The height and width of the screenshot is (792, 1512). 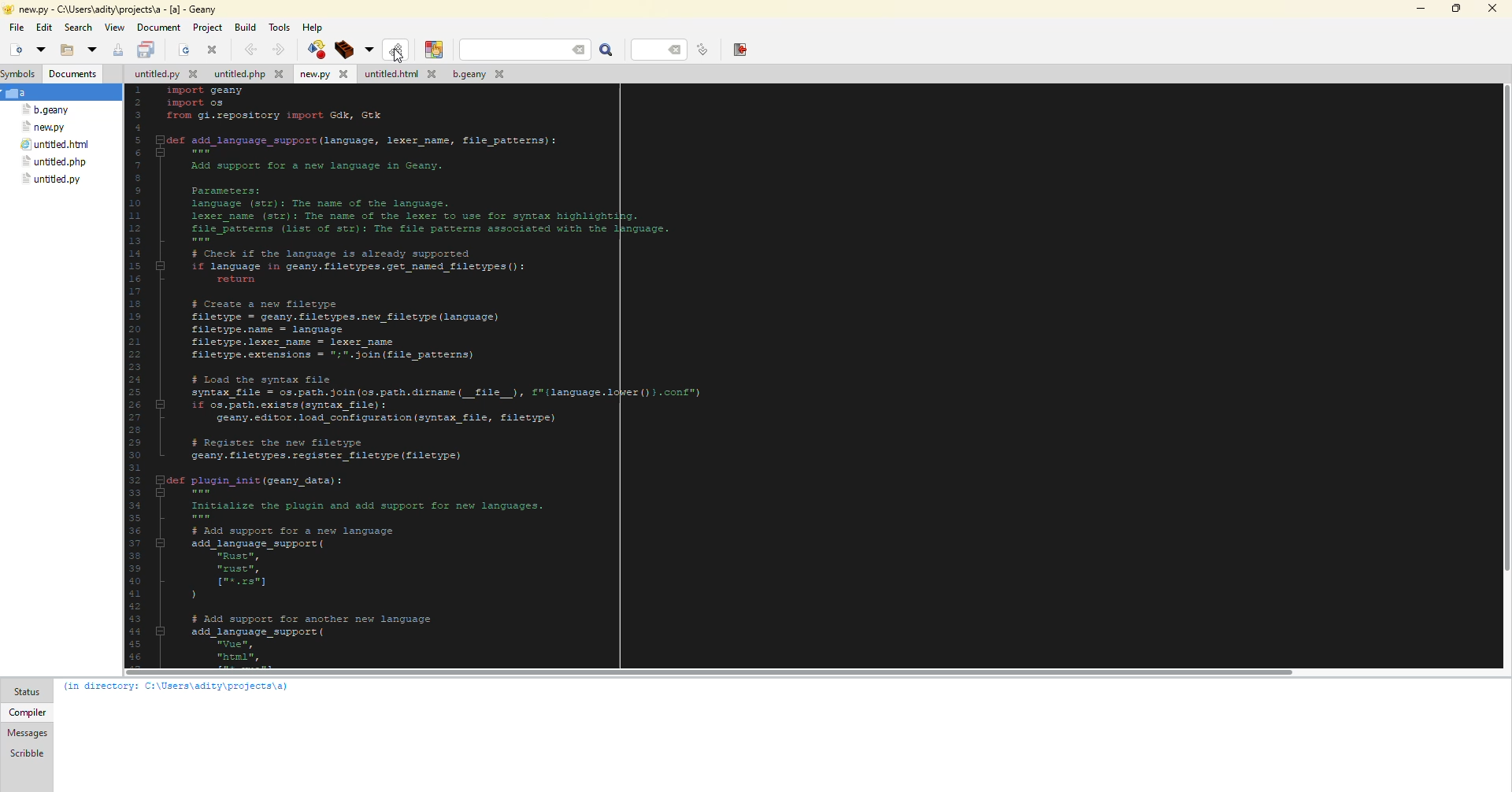 What do you see at coordinates (31, 691) in the screenshot?
I see `status` at bounding box center [31, 691].